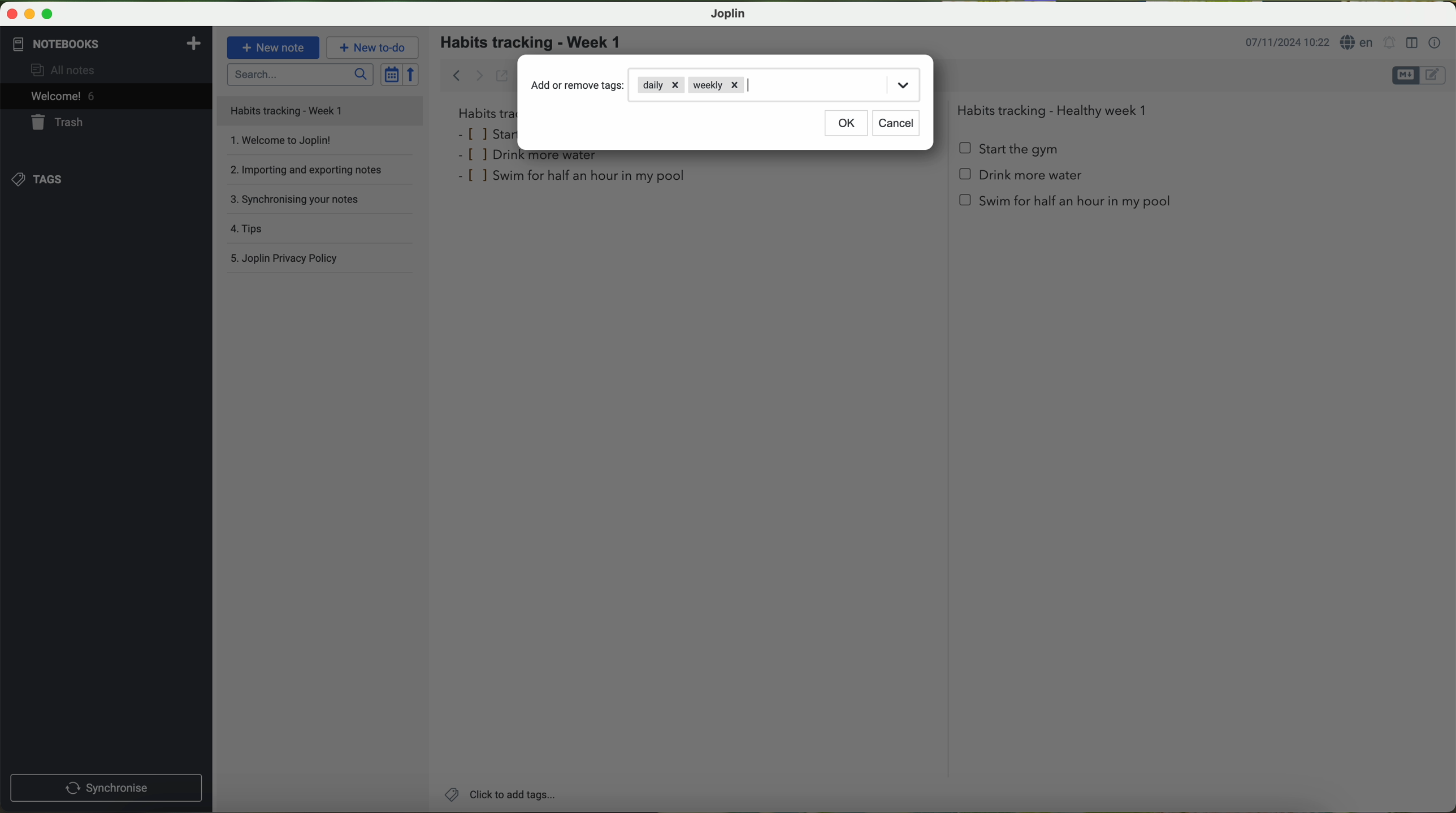 The image size is (1456, 813). I want to click on welcome to Joplin, so click(319, 145).